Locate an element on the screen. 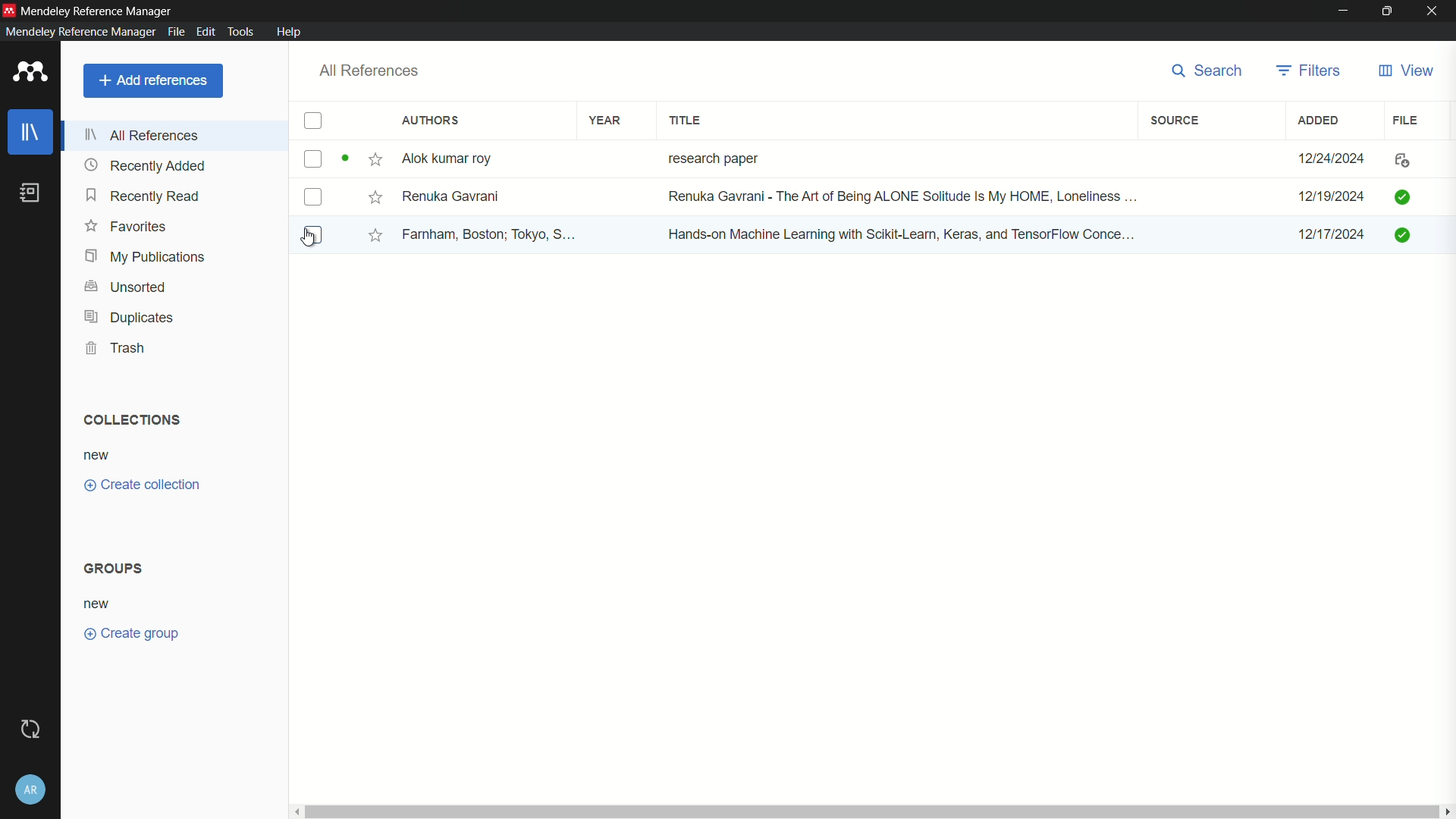 This screenshot has width=1456, height=819. groups is located at coordinates (115, 568).